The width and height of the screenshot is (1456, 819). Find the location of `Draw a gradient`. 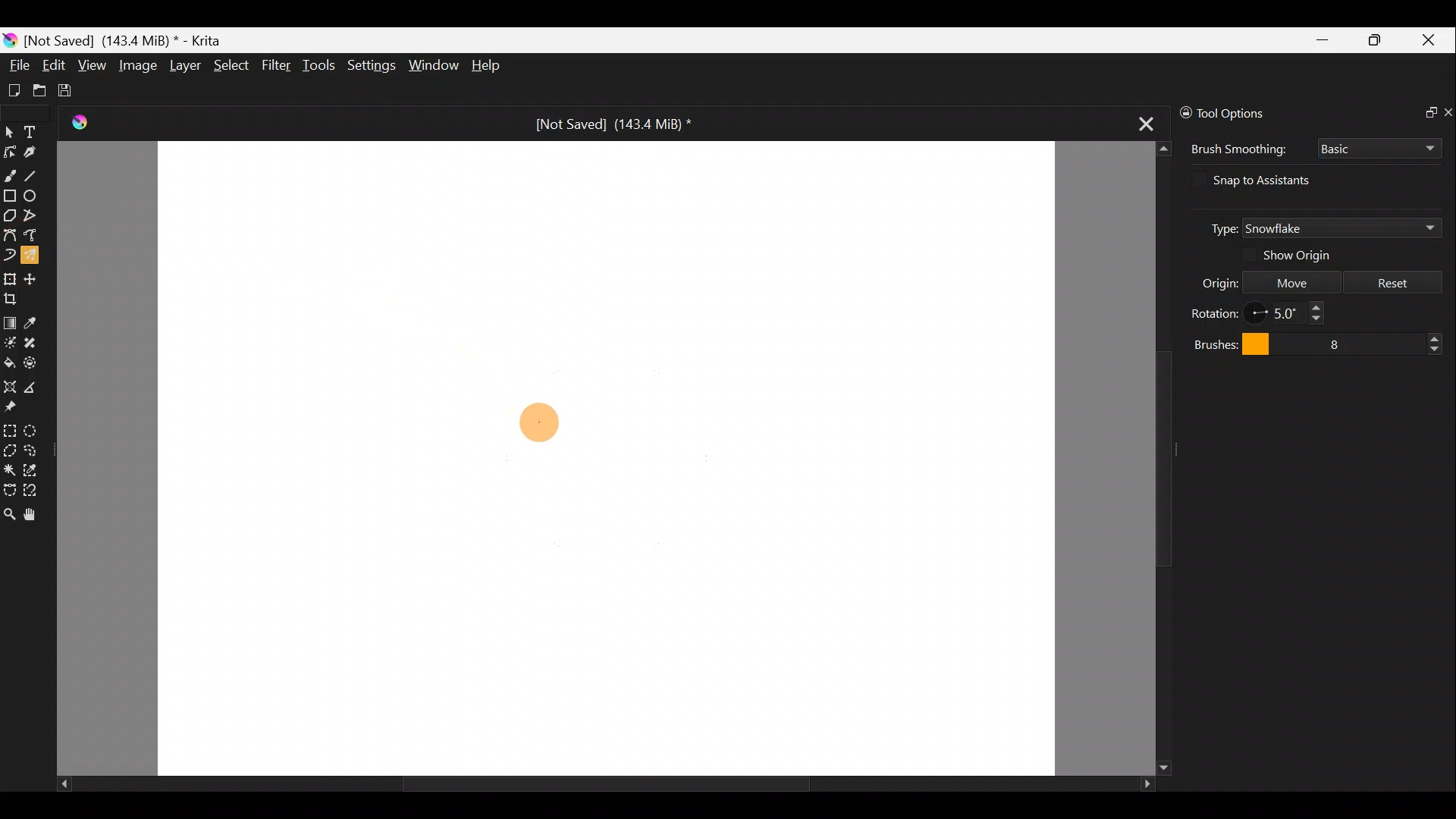

Draw a gradient is located at coordinates (10, 318).